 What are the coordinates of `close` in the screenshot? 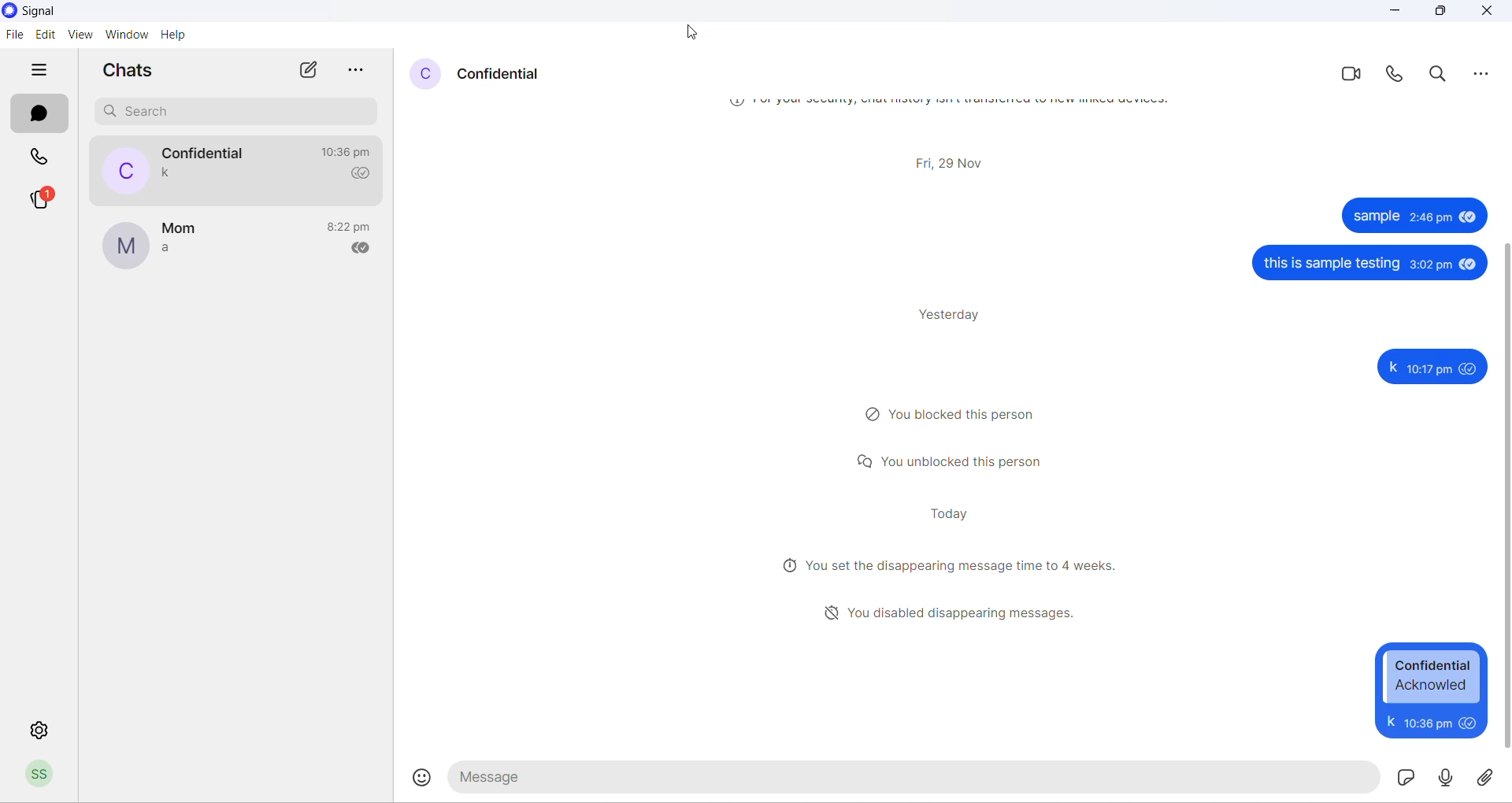 It's located at (1492, 16).